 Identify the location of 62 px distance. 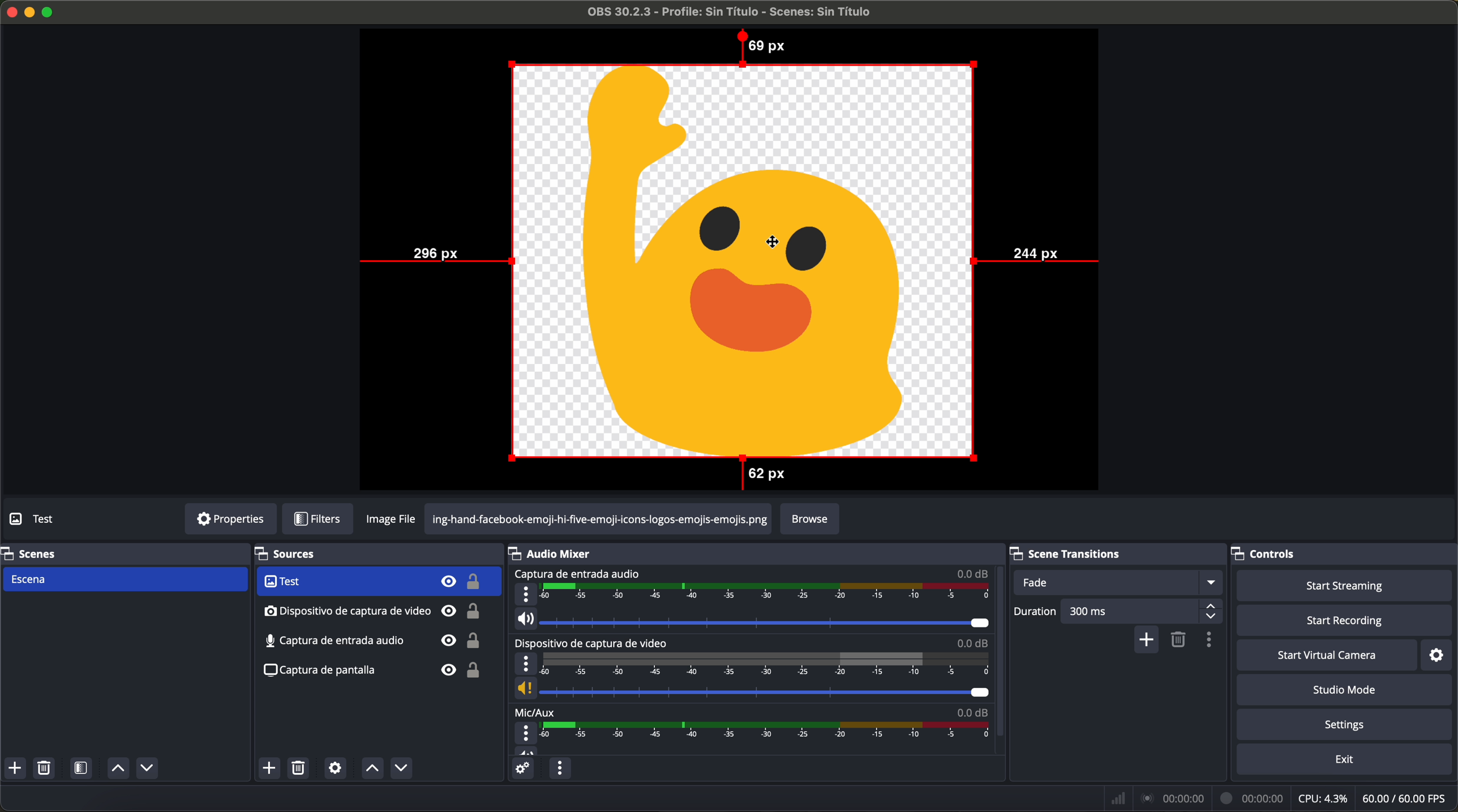
(762, 478).